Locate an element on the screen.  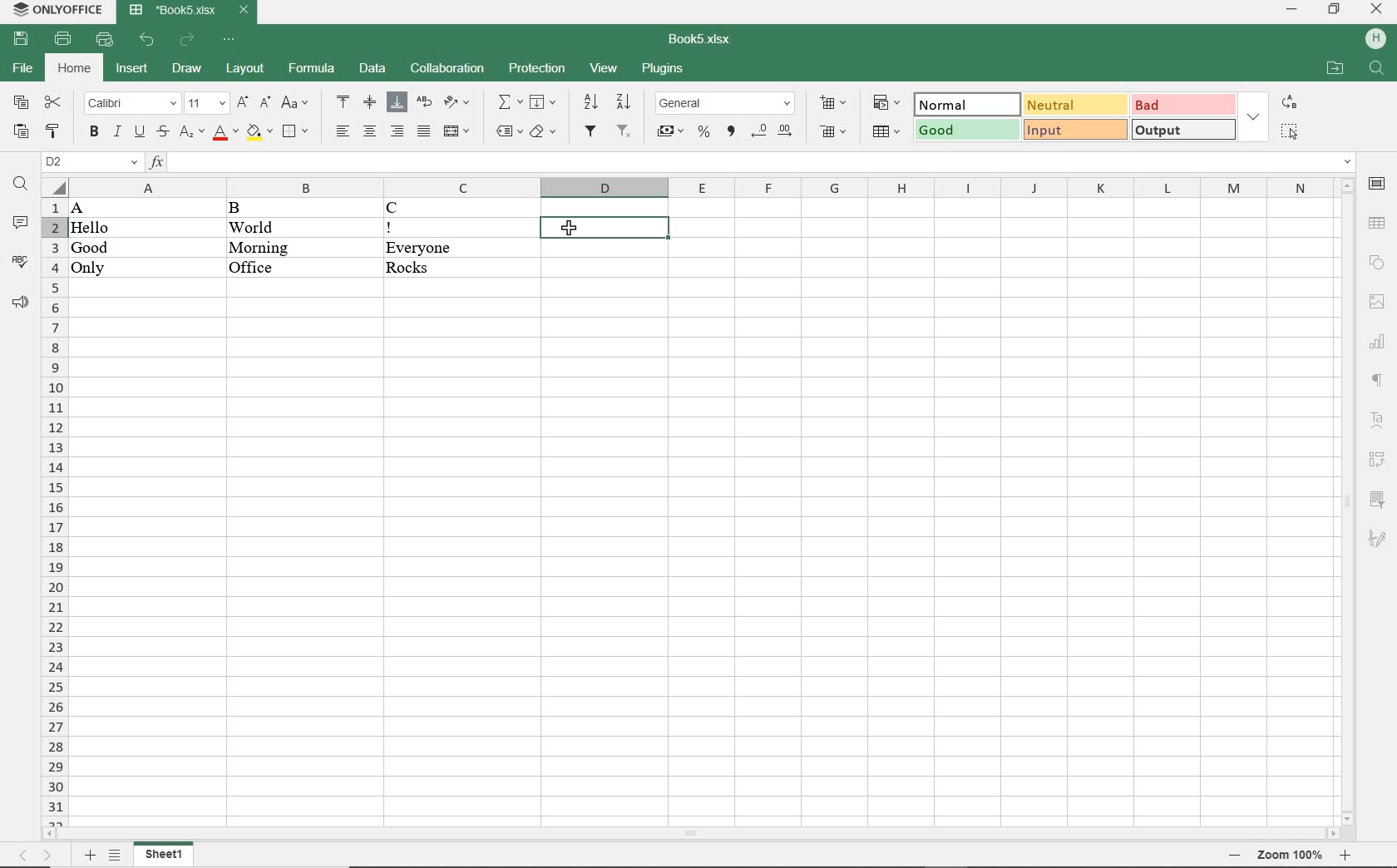
BOLD is located at coordinates (94, 134).